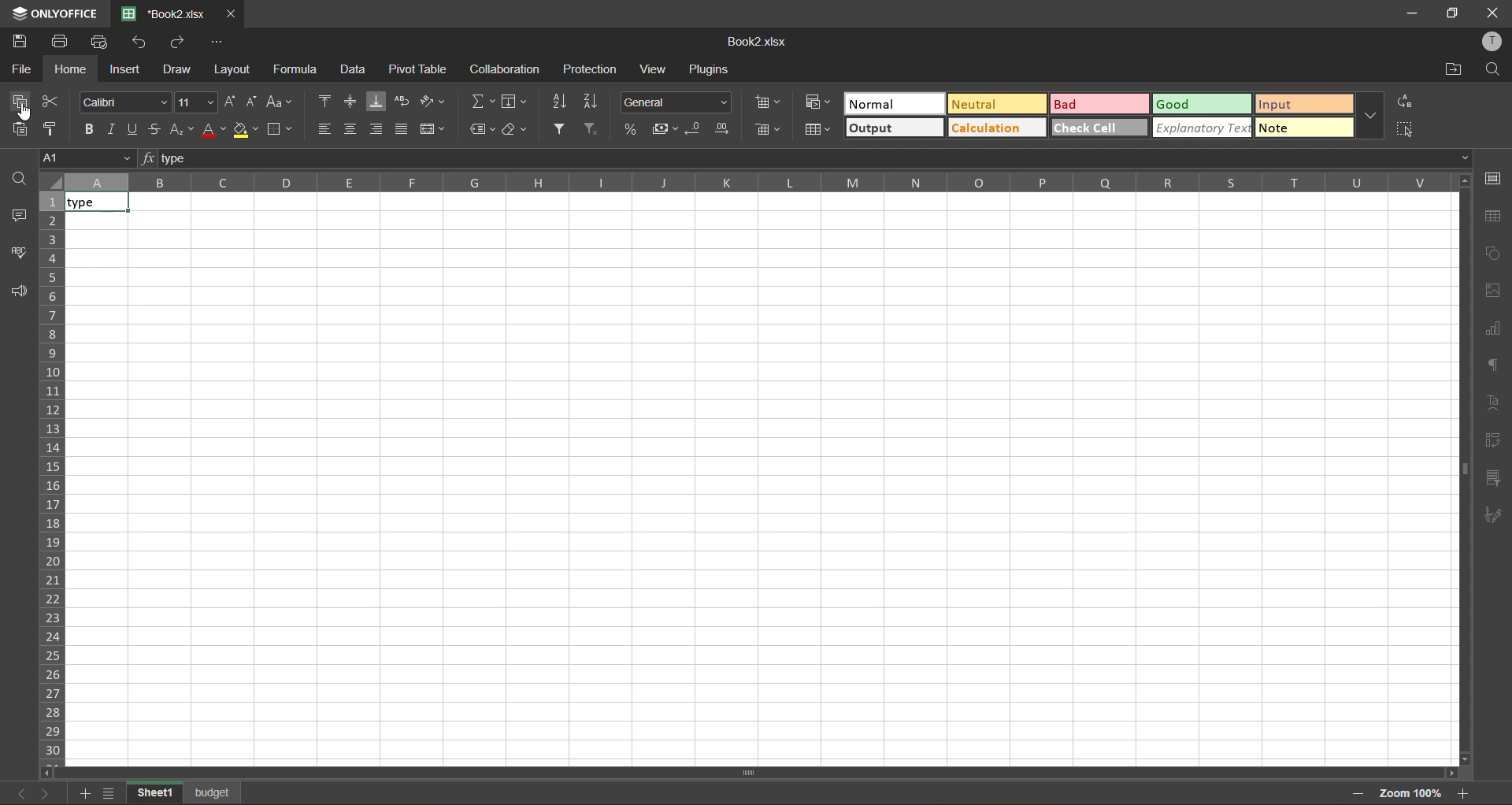  What do you see at coordinates (17, 254) in the screenshot?
I see `spellcheck` at bounding box center [17, 254].